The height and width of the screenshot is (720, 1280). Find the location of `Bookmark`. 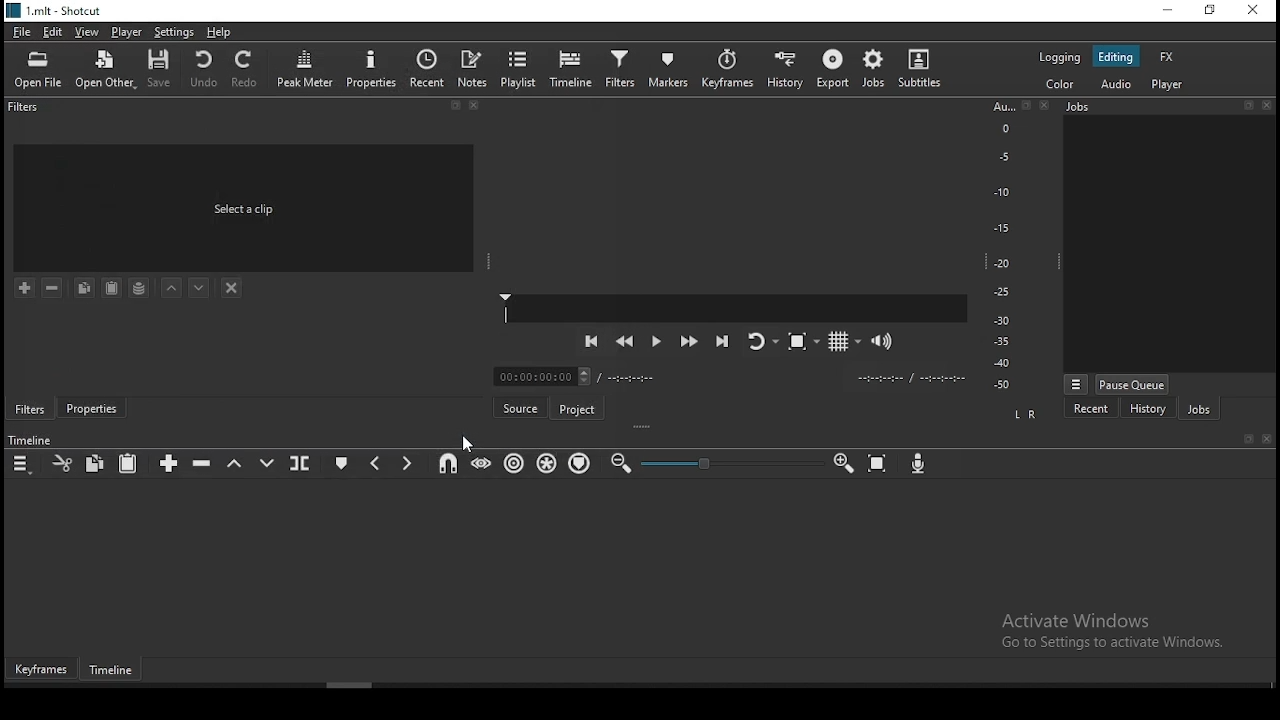

Bookmark is located at coordinates (1247, 104).